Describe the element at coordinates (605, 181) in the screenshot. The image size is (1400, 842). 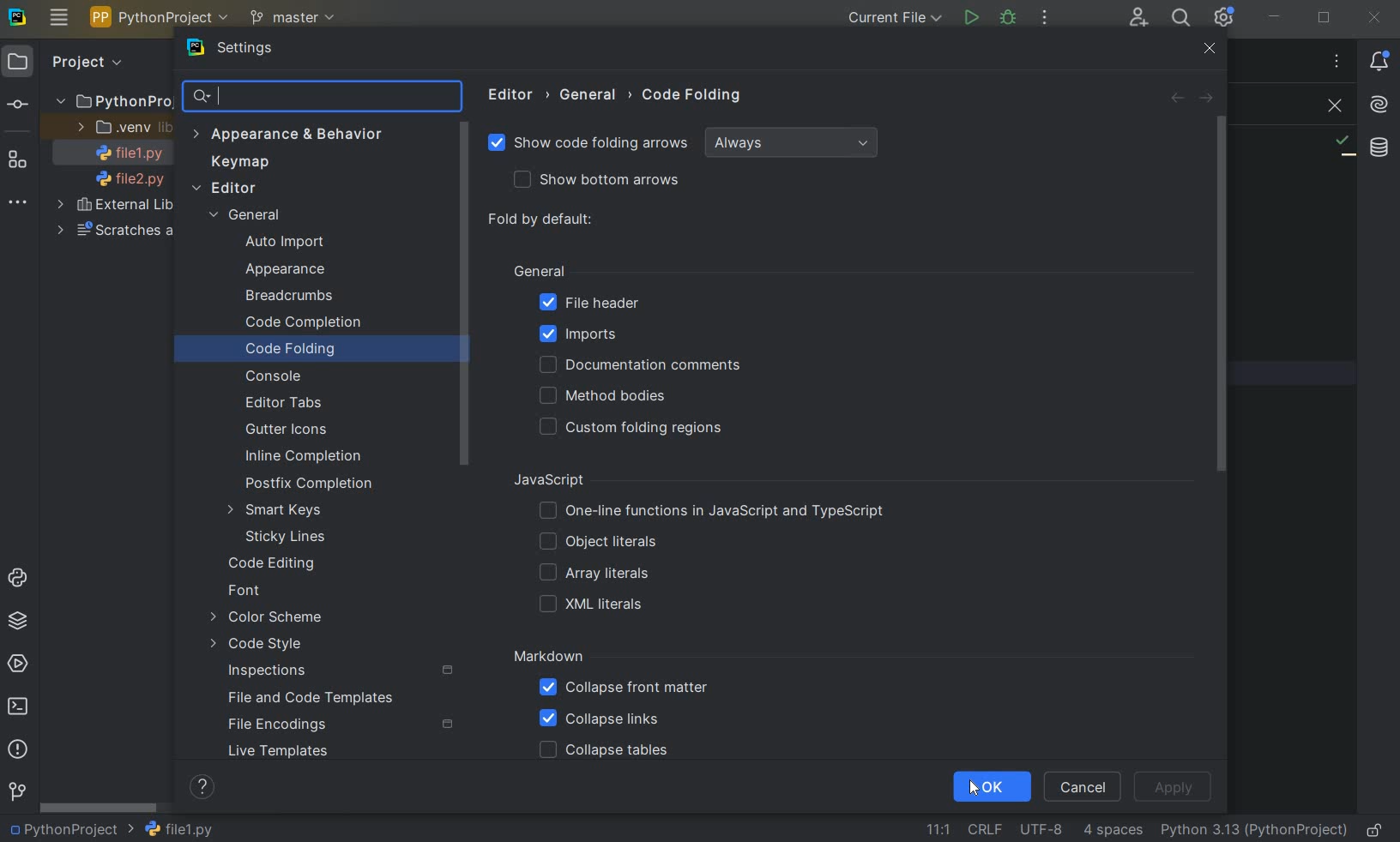
I see `SHOW BUTTON ARROWS` at that location.